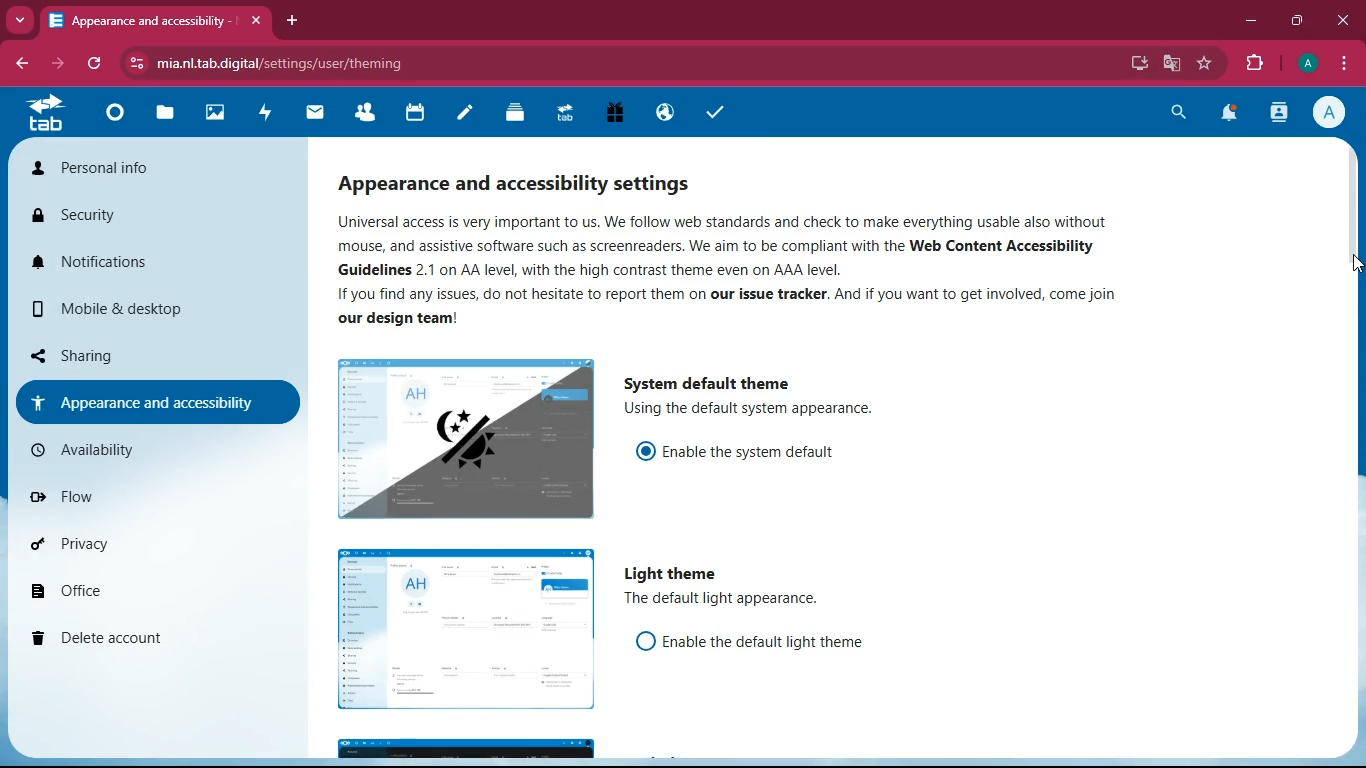  I want to click on mia.nltab.digital/settings/user/theming, so click(266, 60).